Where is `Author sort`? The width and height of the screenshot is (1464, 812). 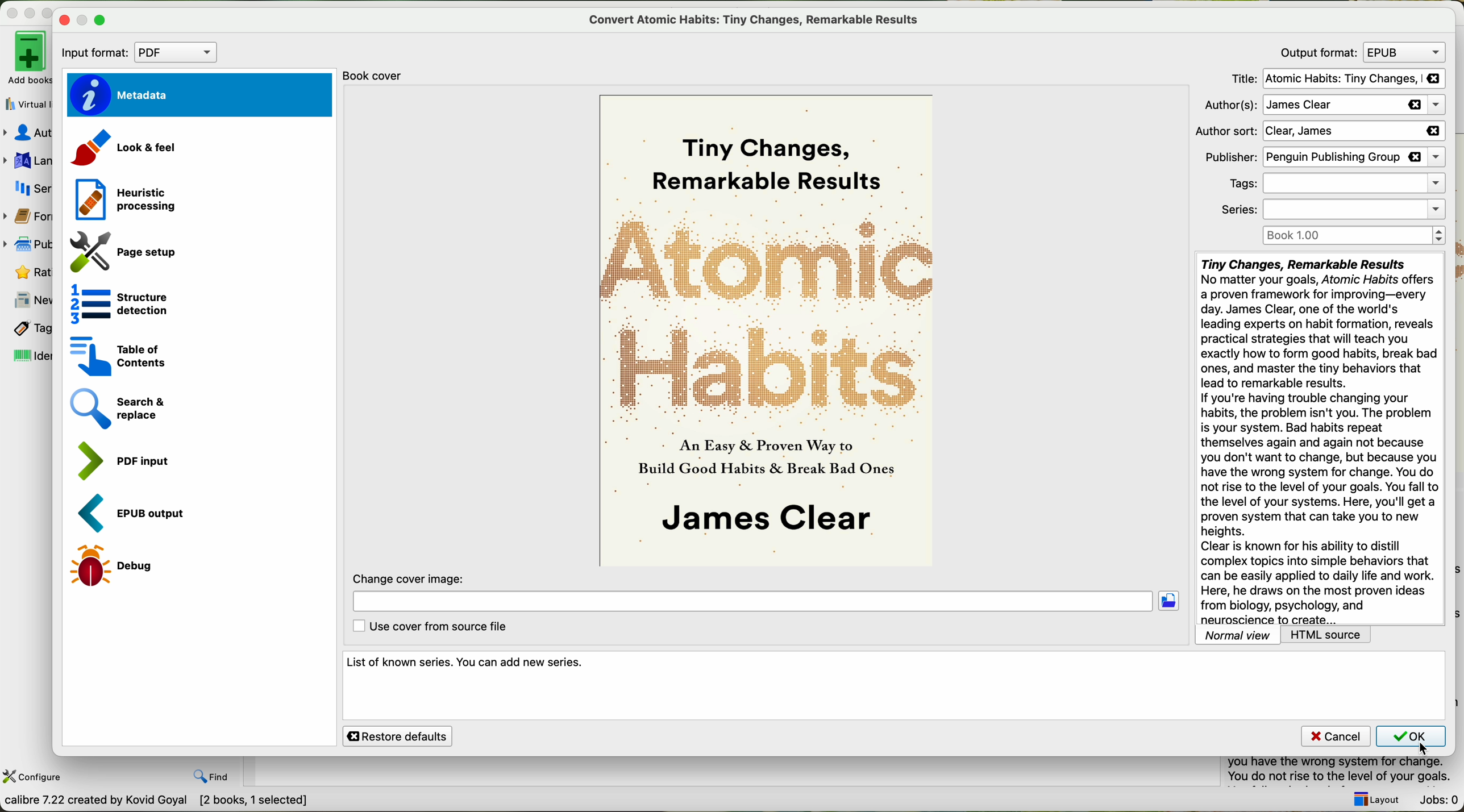
Author sort is located at coordinates (1319, 132).